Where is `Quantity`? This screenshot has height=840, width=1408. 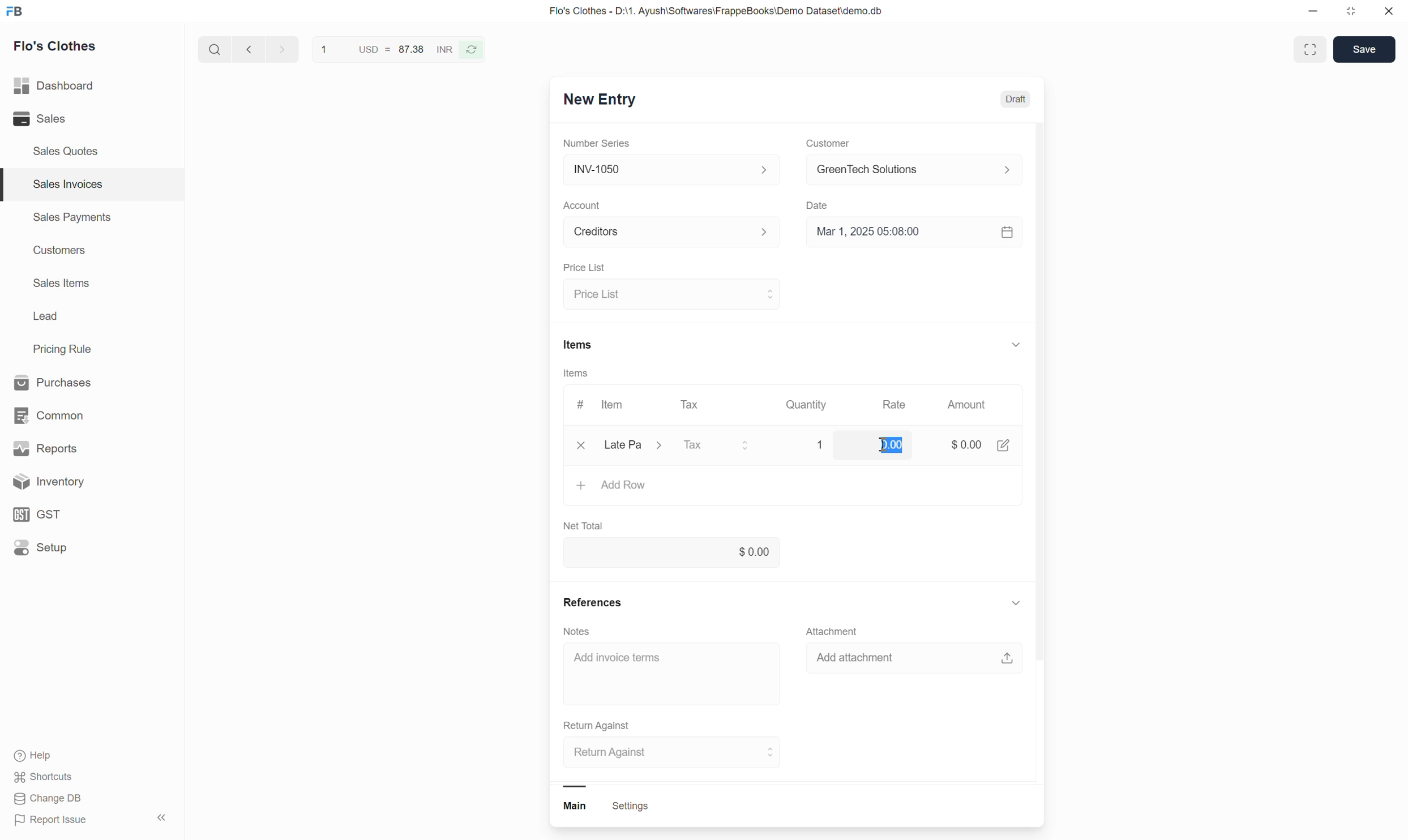
Quantity is located at coordinates (821, 444).